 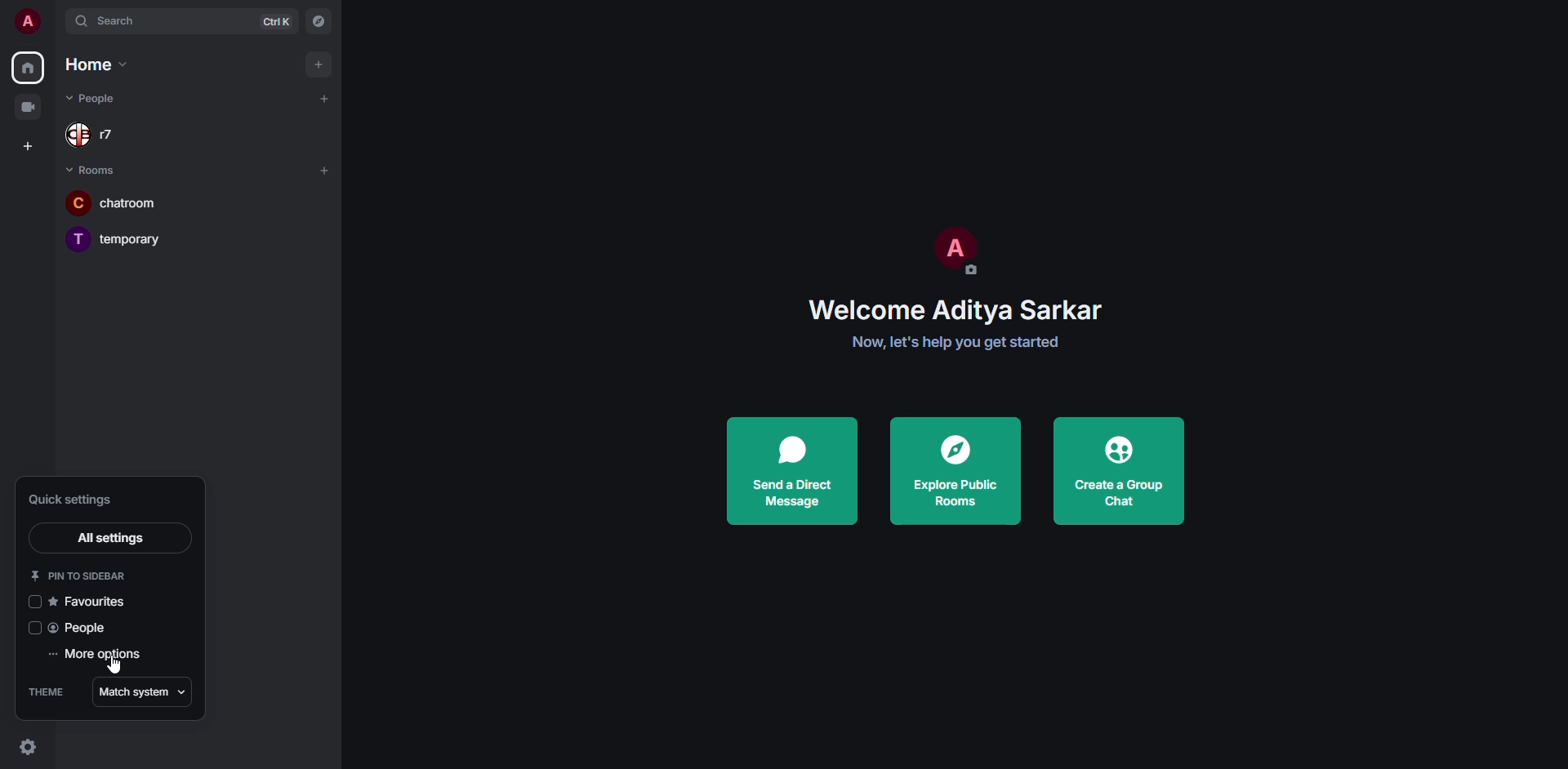 I want to click on click to enable, so click(x=30, y=629).